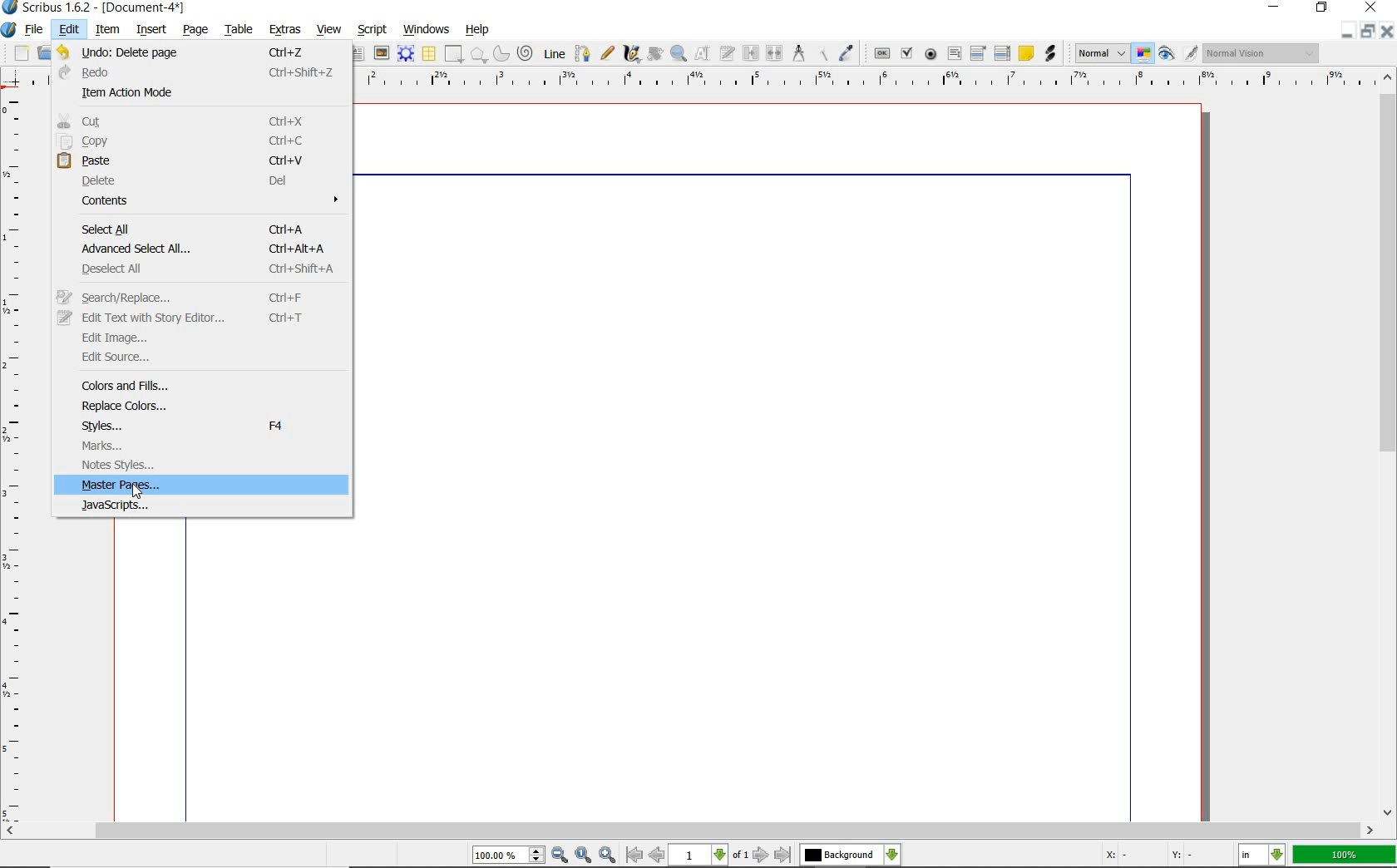 This screenshot has width=1397, height=868. What do you see at coordinates (373, 28) in the screenshot?
I see `script` at bounding box center [373, 28].